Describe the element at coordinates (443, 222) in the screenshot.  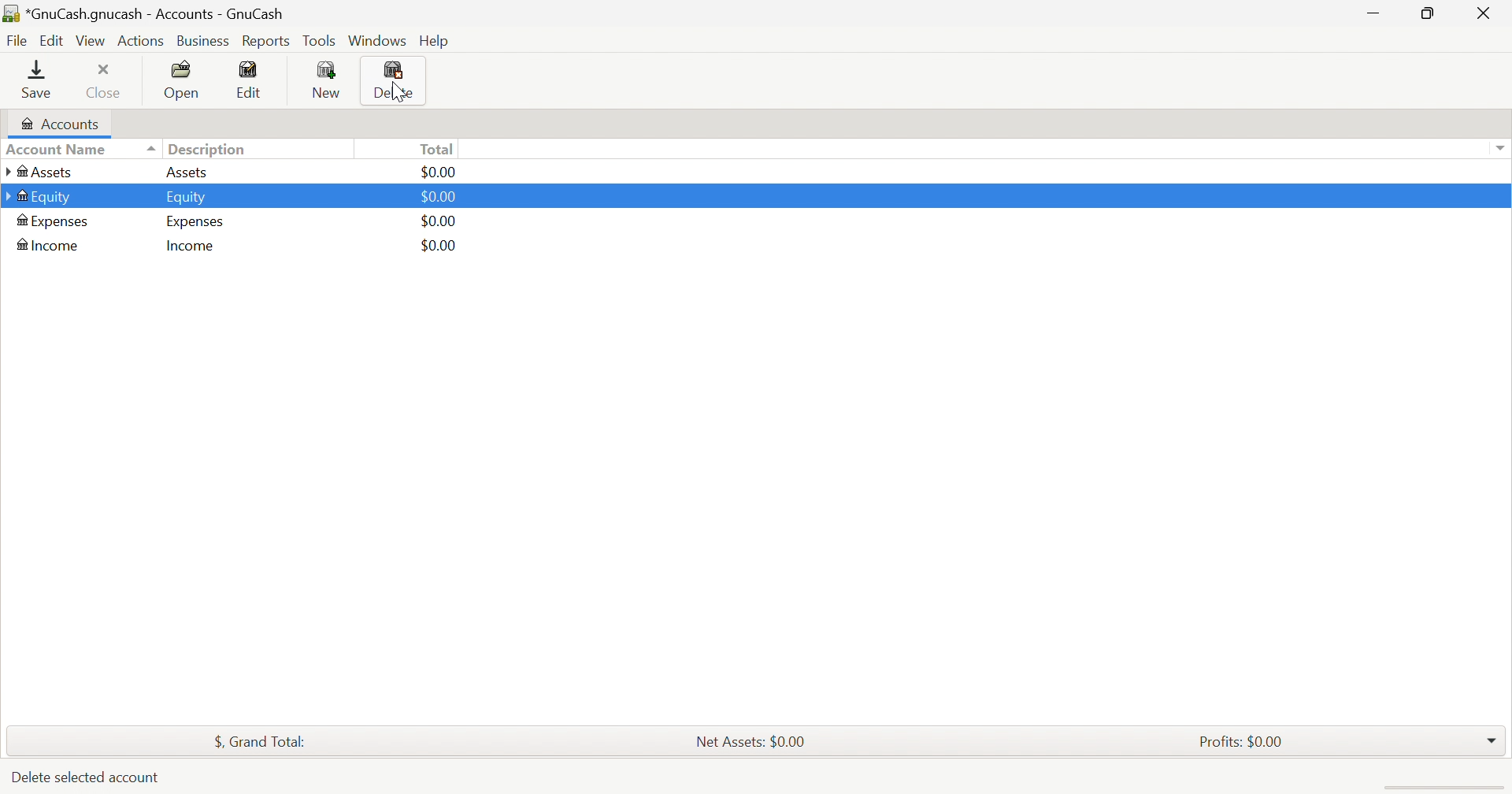
I see `$0.00` at that location.